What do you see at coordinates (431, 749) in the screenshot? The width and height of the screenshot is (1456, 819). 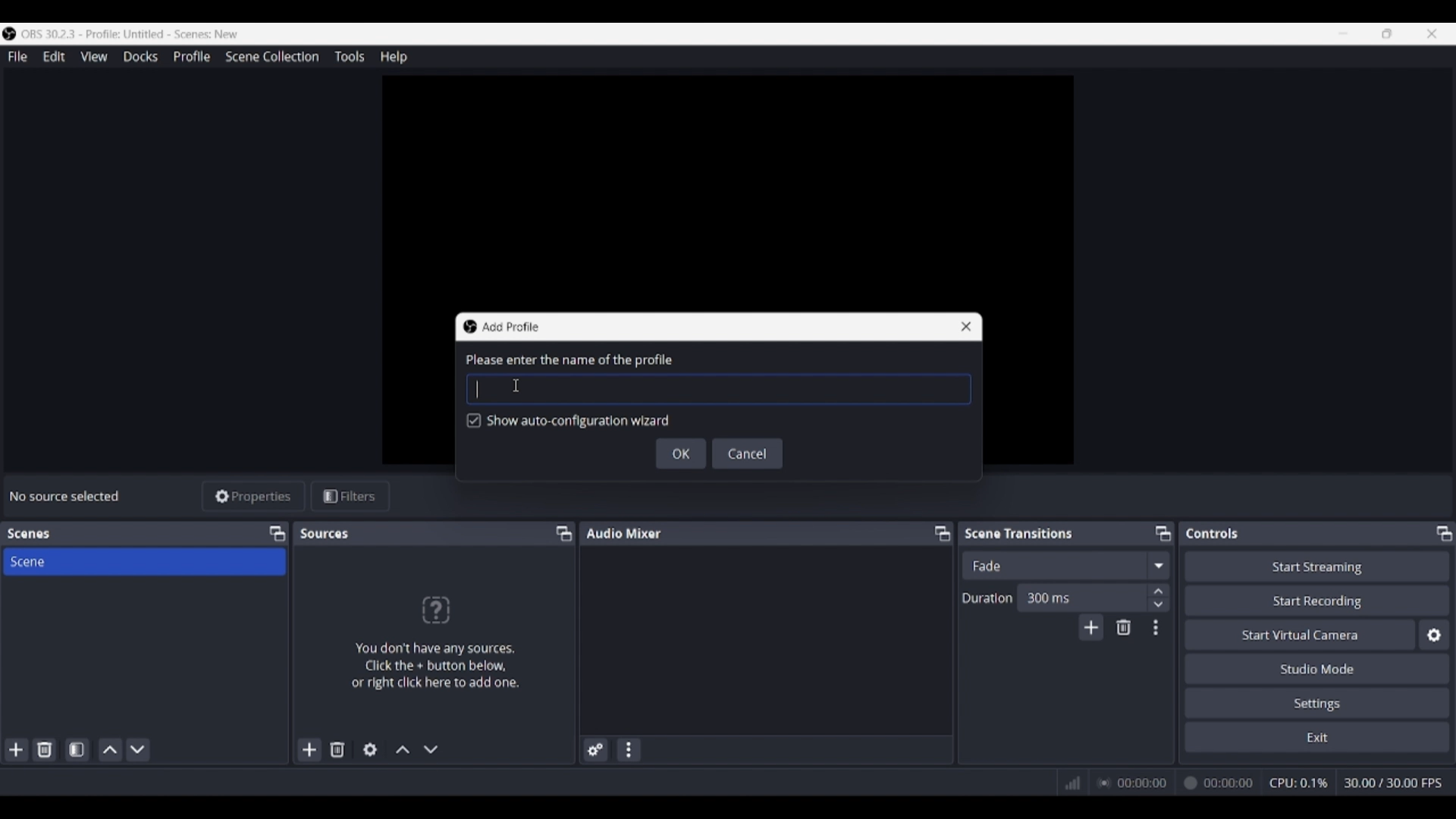 I see `Move source down` at bounding box center [431, 749].